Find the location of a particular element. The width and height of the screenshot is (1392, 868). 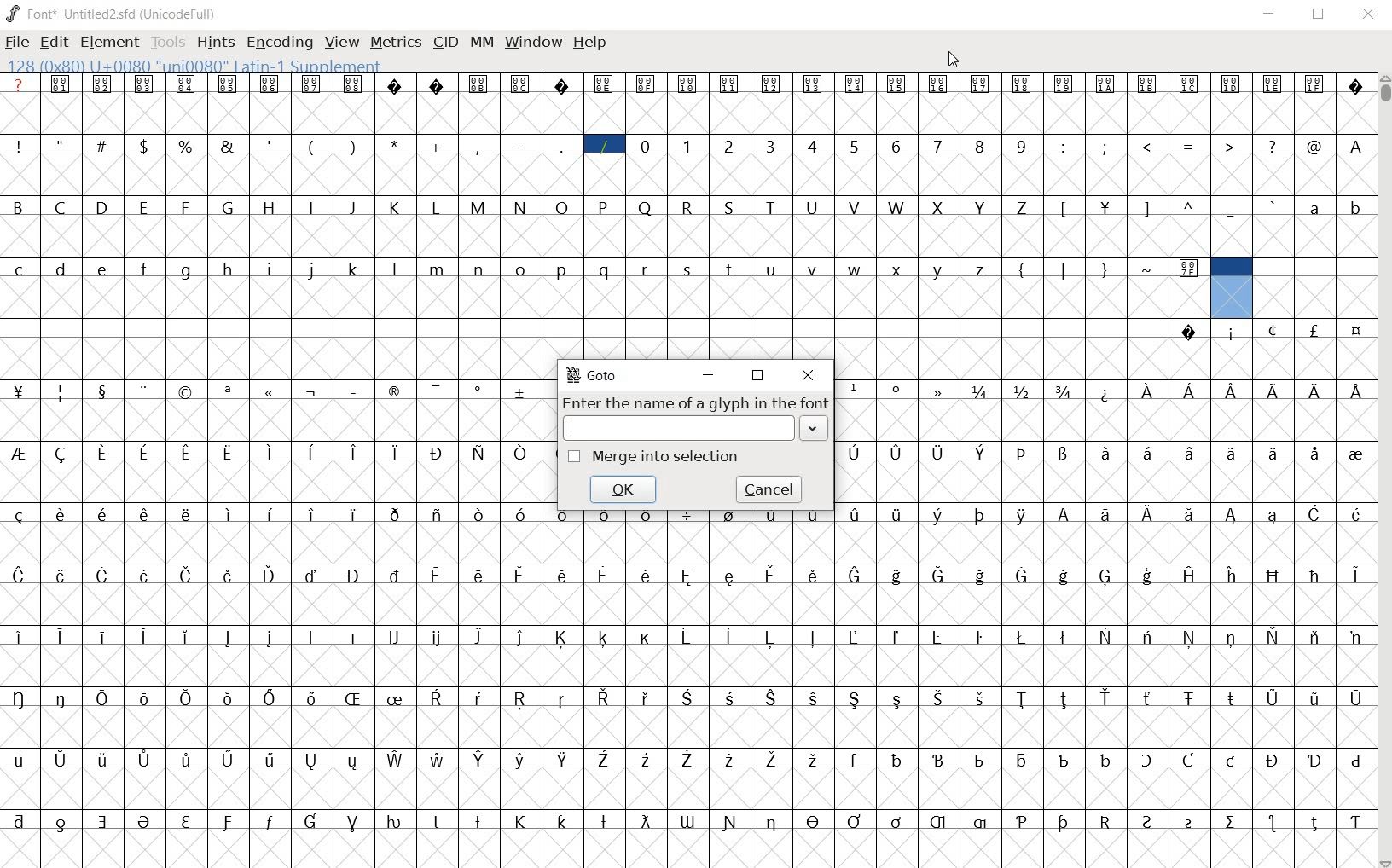

Symbol is located at coordinates (271, 452).